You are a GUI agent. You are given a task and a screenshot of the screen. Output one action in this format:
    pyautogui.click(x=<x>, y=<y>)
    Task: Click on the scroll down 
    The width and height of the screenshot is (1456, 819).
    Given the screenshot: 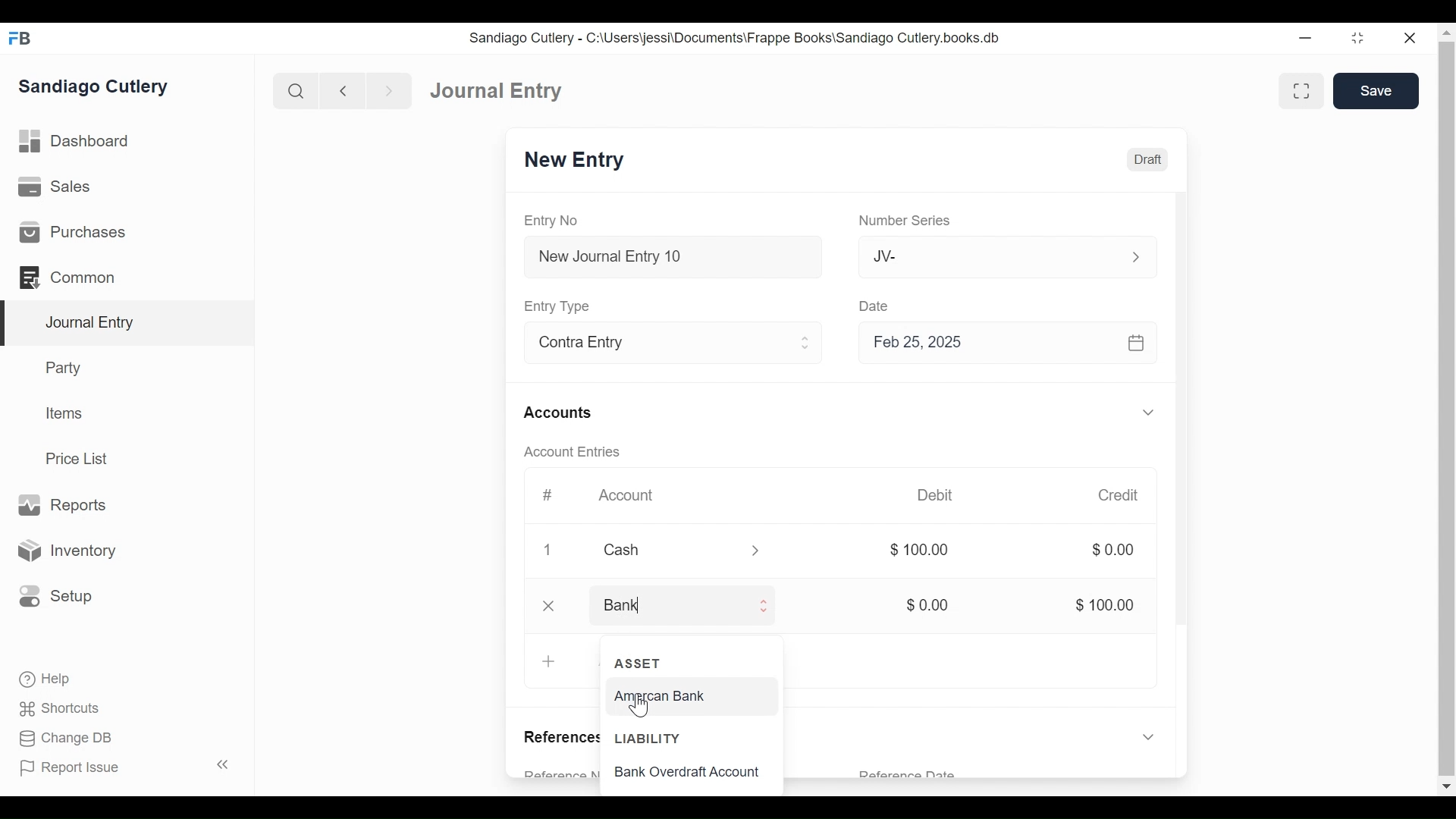 What is the action you would take?
    pyautogui.click(x=1447, y=784)
    